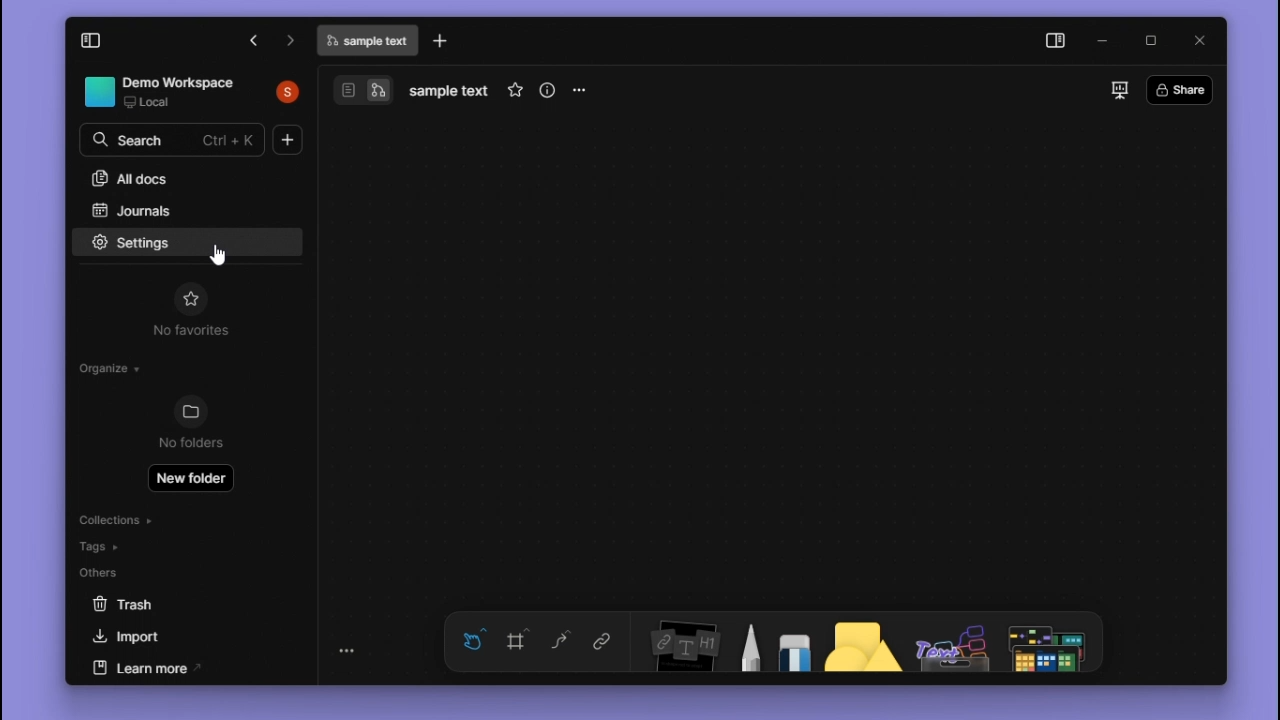  Describe the element at coordinates (286, 138) in the screenshot. I see `new doc` at that location.